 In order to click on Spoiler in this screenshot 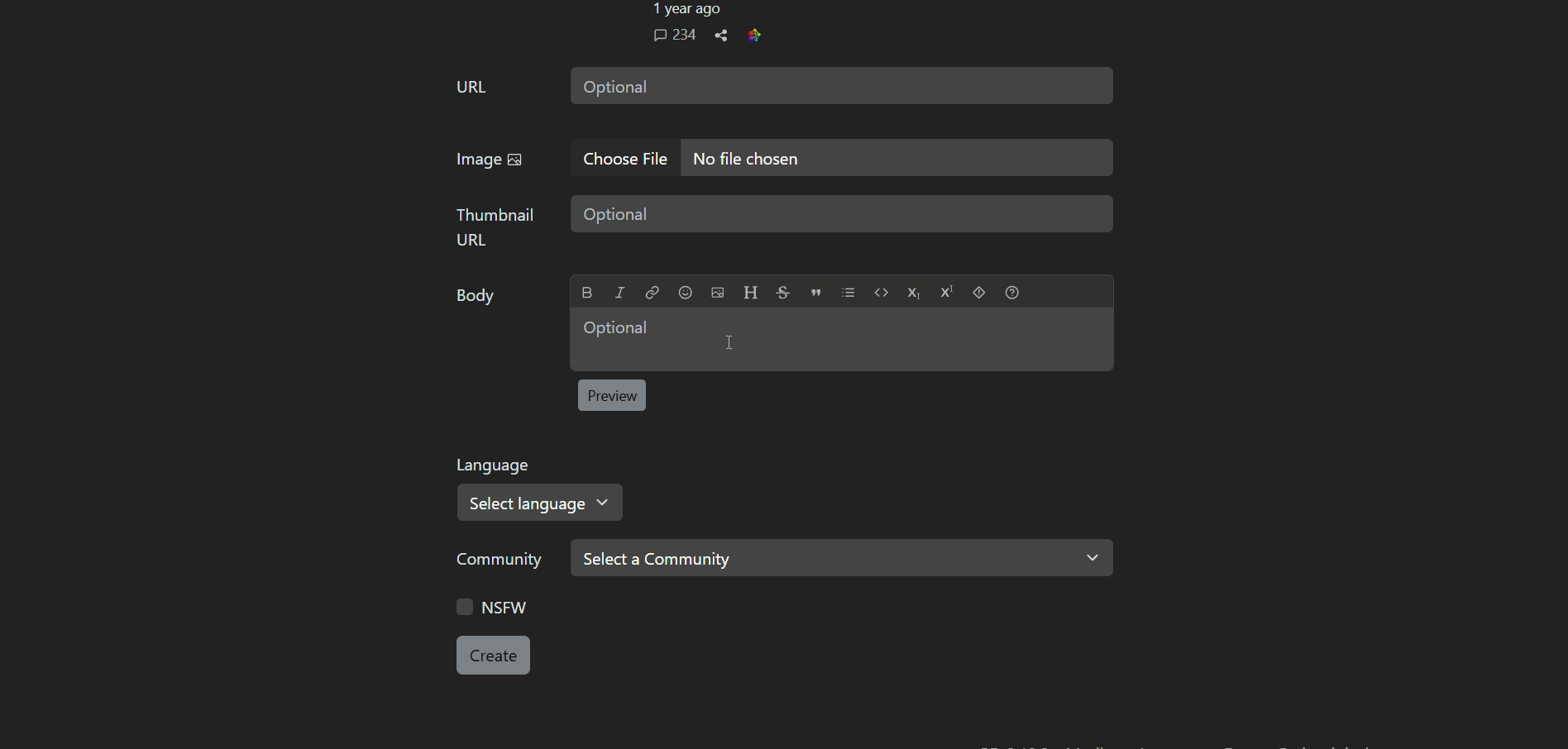, I will do `click(978, 292)`.